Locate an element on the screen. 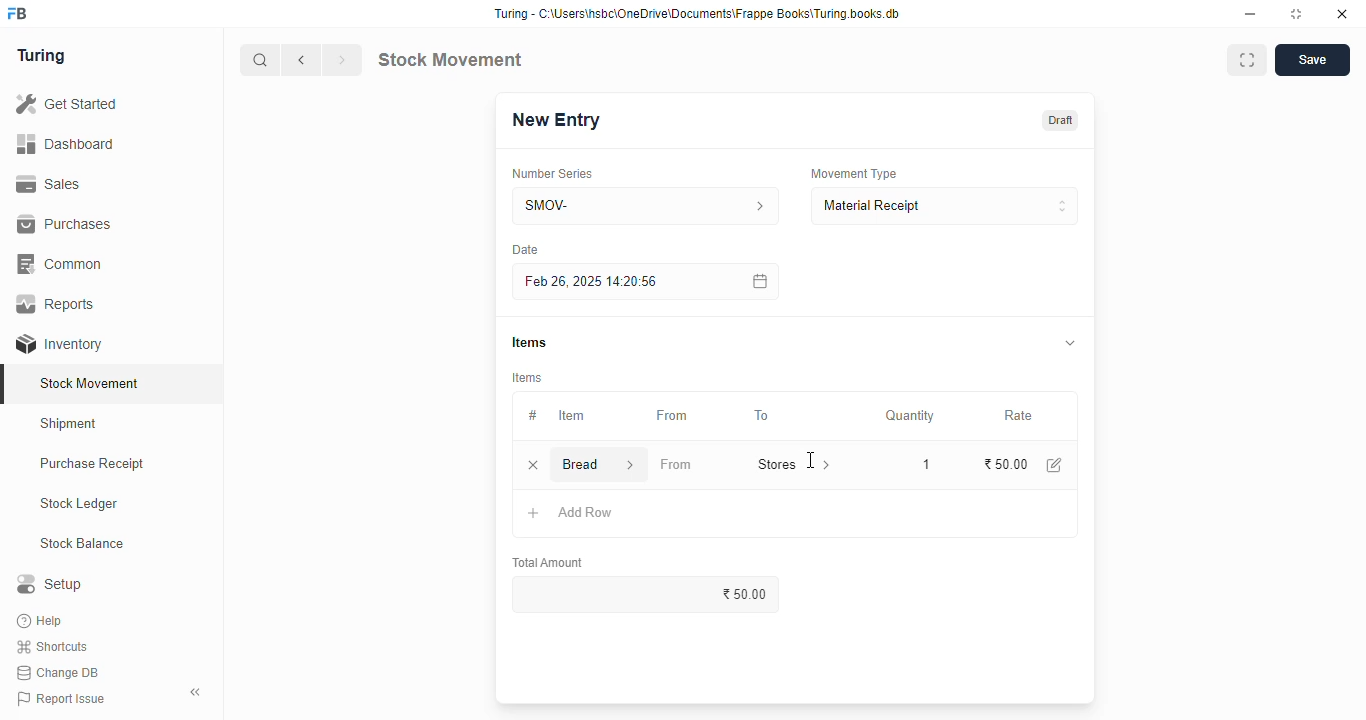  draft is located at coordinates (1062, 120).